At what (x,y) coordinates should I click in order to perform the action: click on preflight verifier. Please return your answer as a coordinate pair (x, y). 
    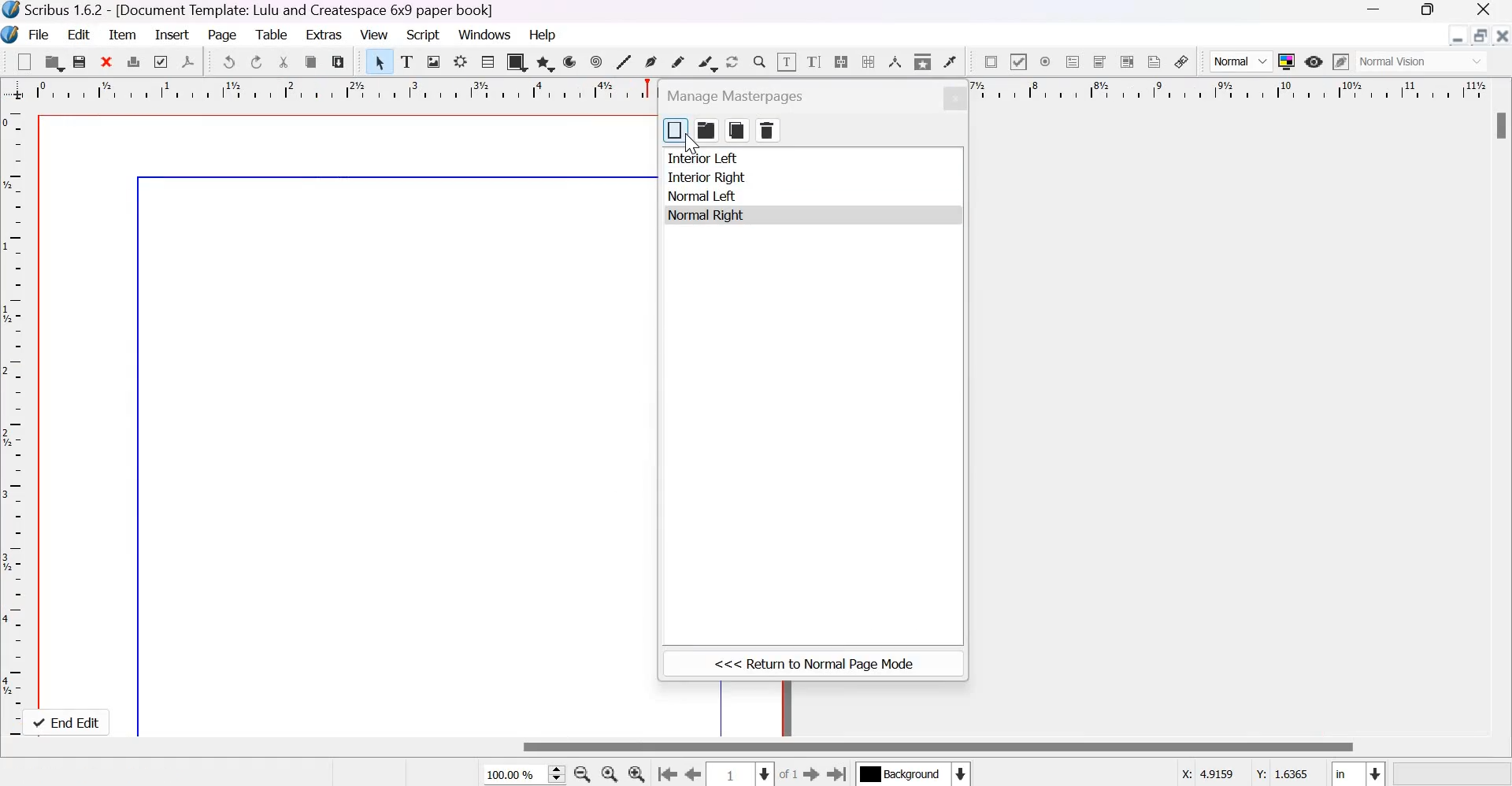
    Looking at the image, I should click on (162, 61).